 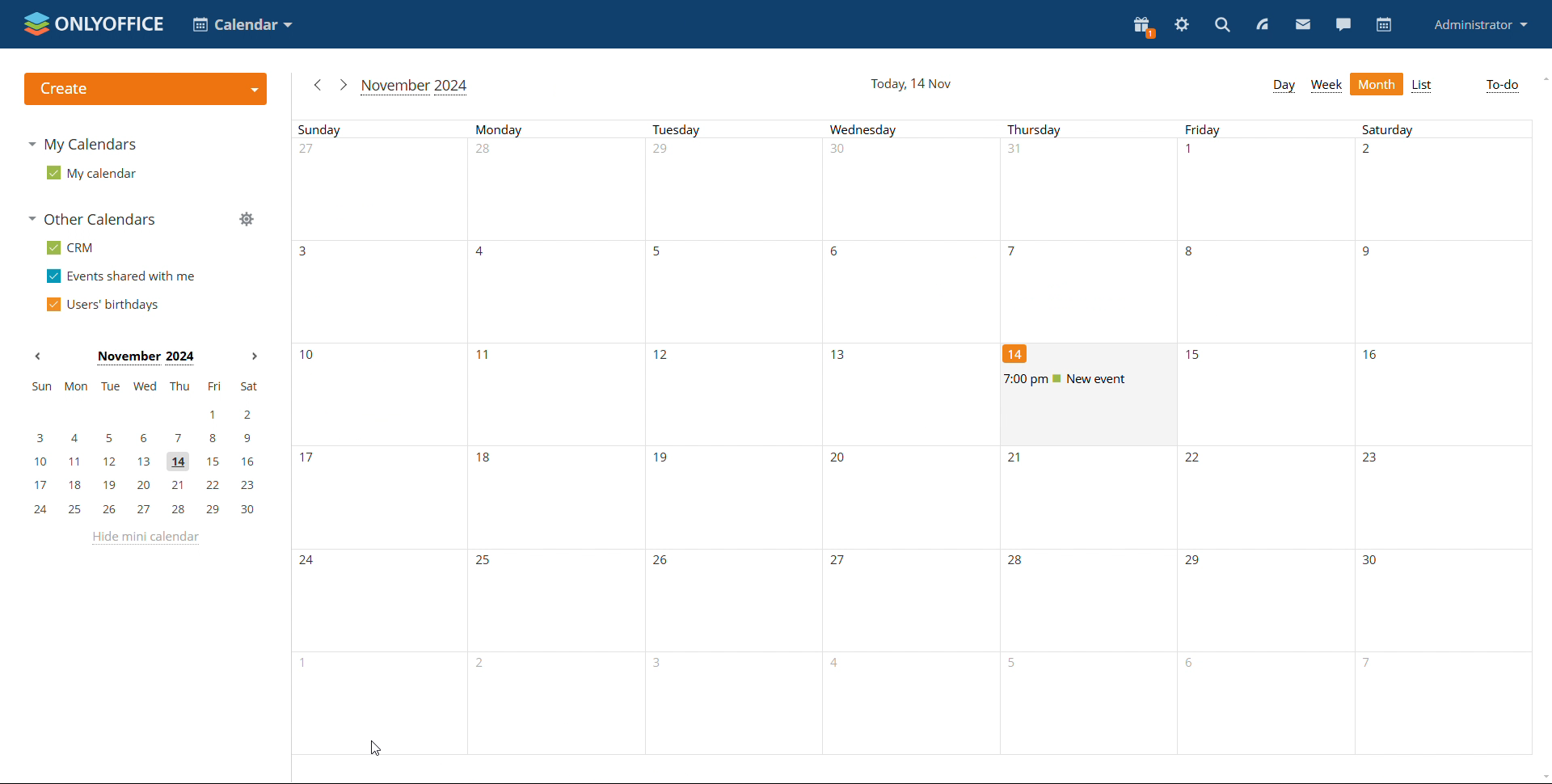 What do you see at coordinates (1364, 665) in the screenshot?
I see `number` at bounding box center [1364, 665].